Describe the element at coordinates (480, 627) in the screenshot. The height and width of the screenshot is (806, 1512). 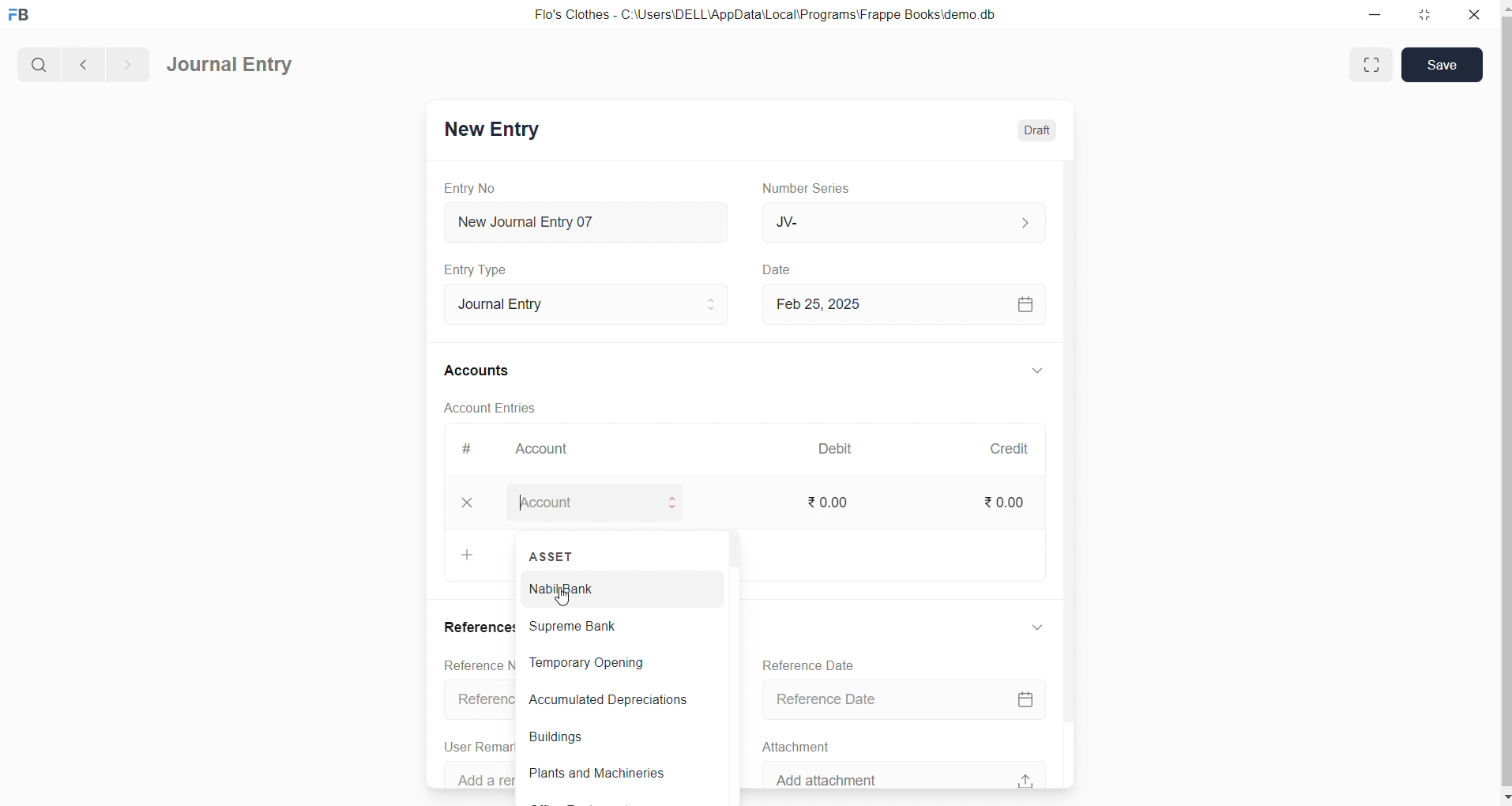
I see `References` at that location.